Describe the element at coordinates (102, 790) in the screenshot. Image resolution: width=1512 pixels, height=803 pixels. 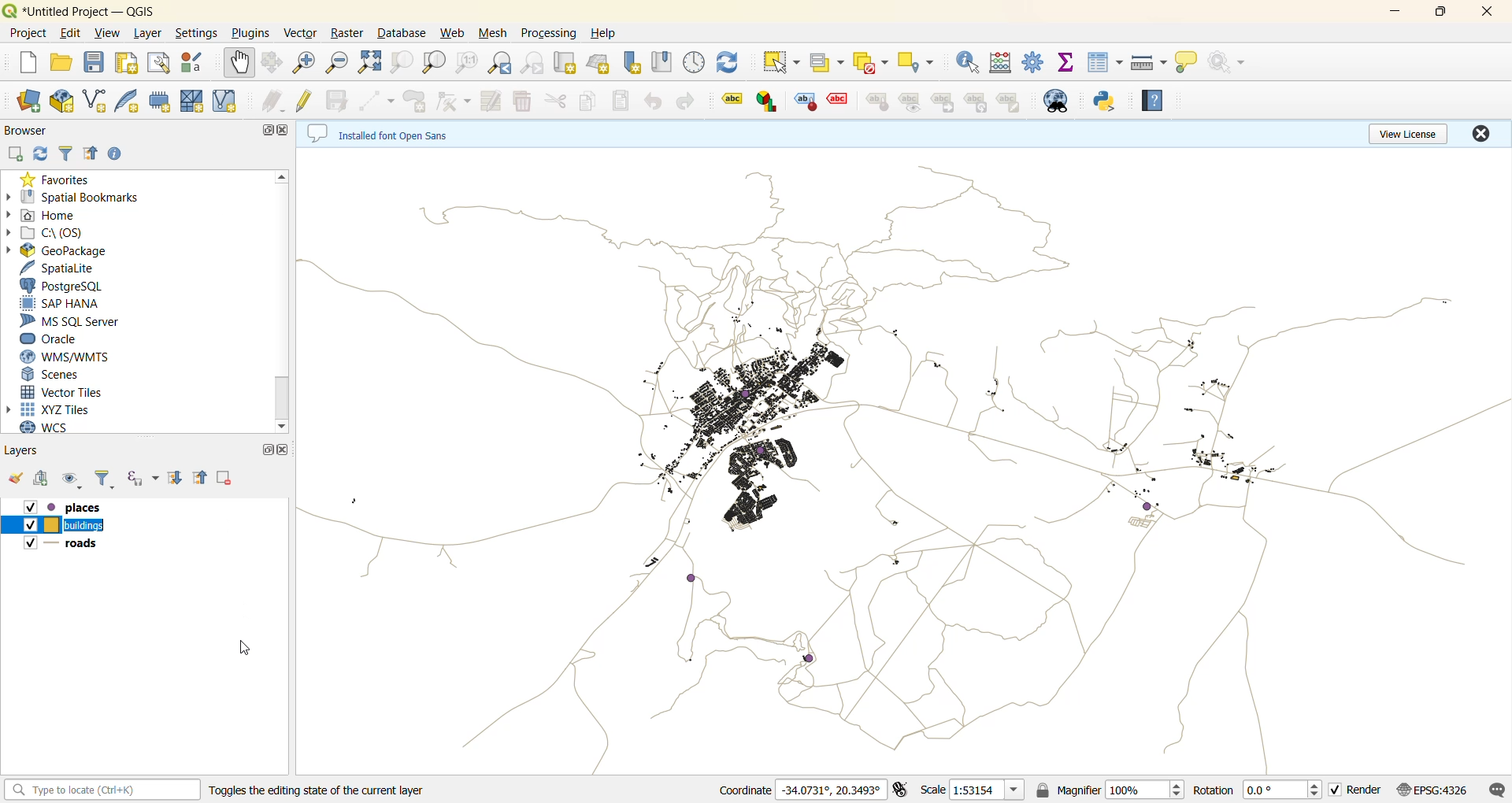
I see `status bar` at that location.